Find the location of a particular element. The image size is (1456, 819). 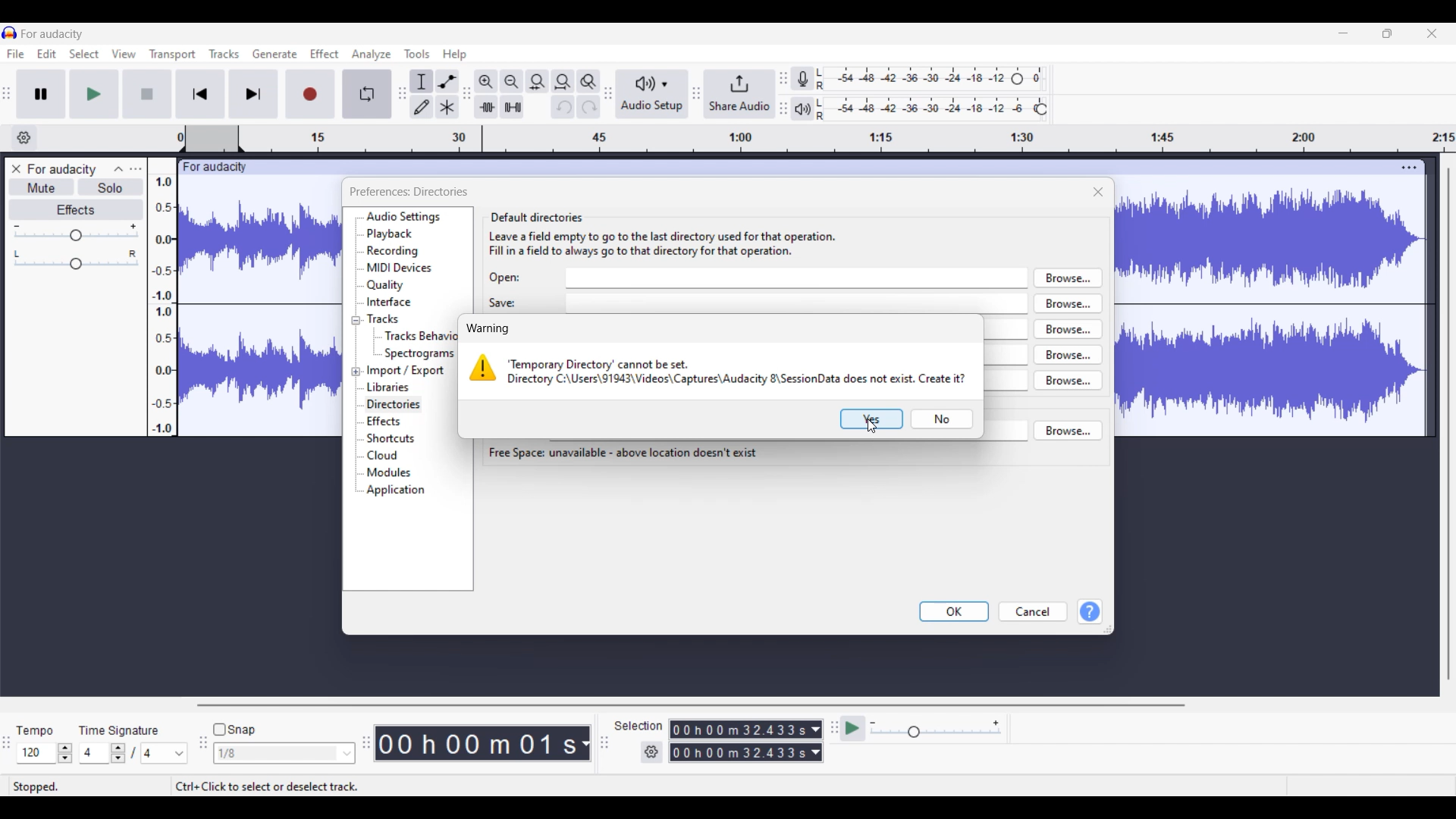

Options for max. time signature is located at coordinates (165, 753).